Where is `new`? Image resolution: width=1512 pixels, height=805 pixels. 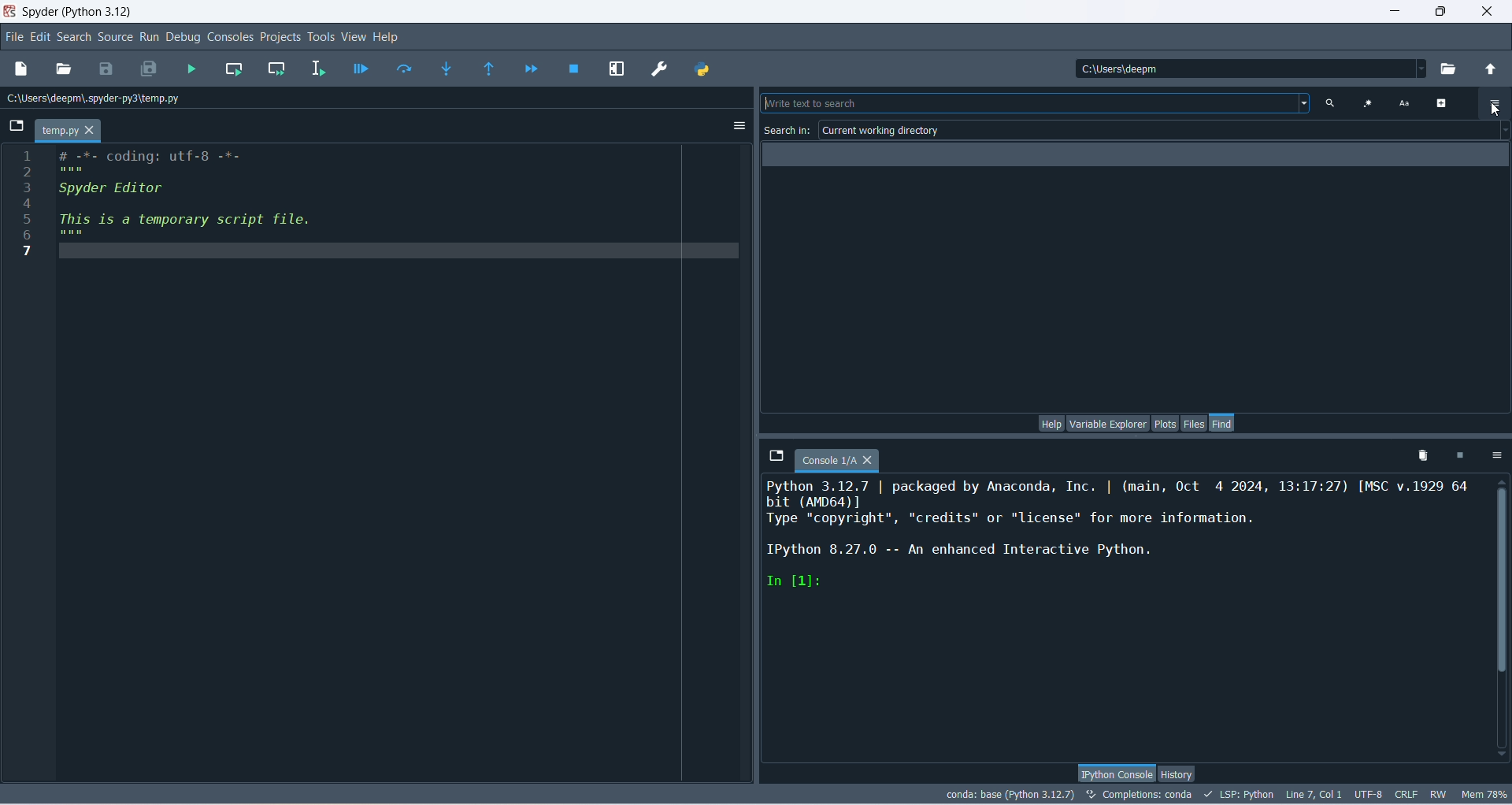
new is located at coordinates (20, 69).